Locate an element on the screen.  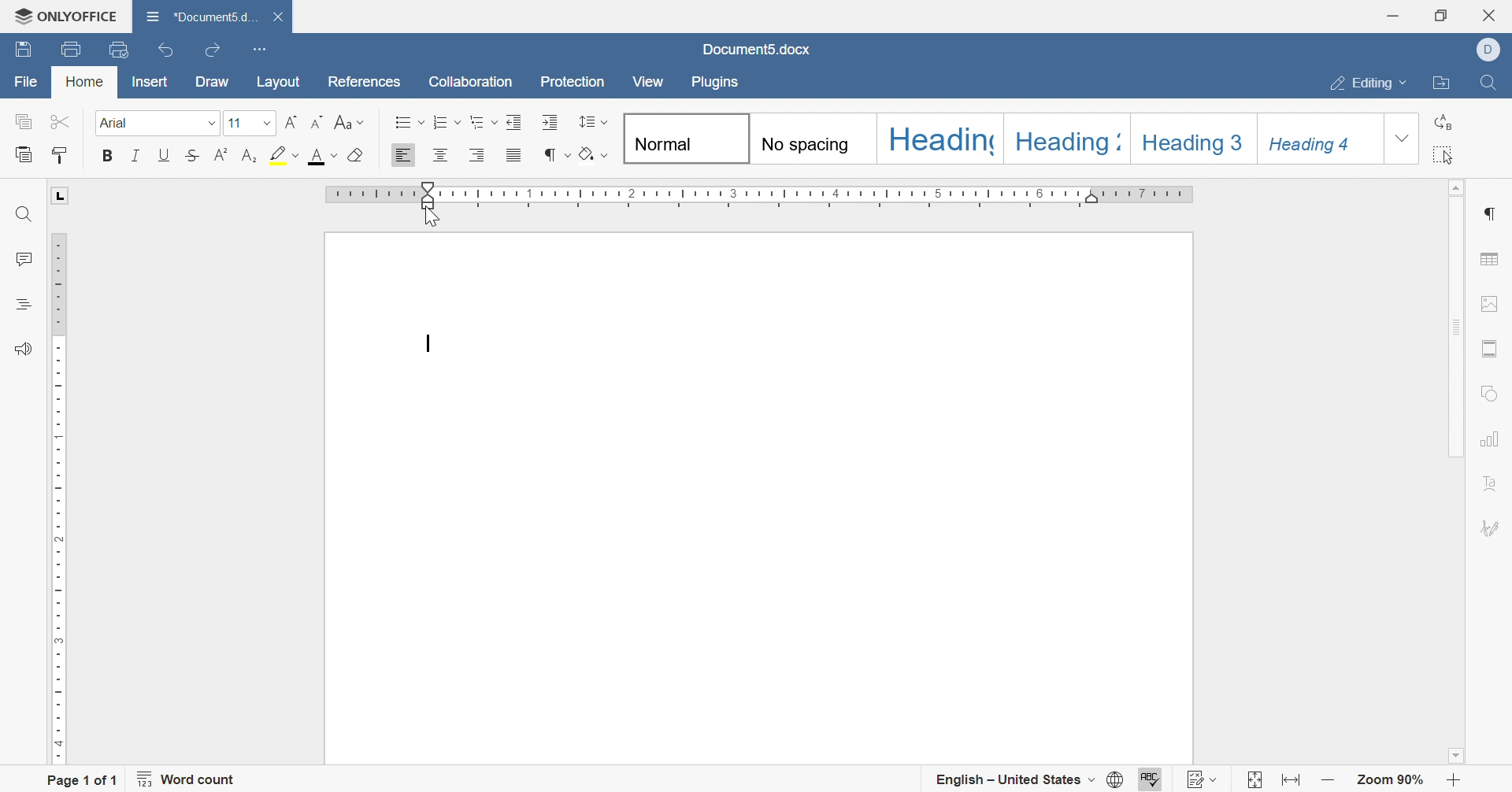
page 1 of 1 is located at coordinates (83, 779).